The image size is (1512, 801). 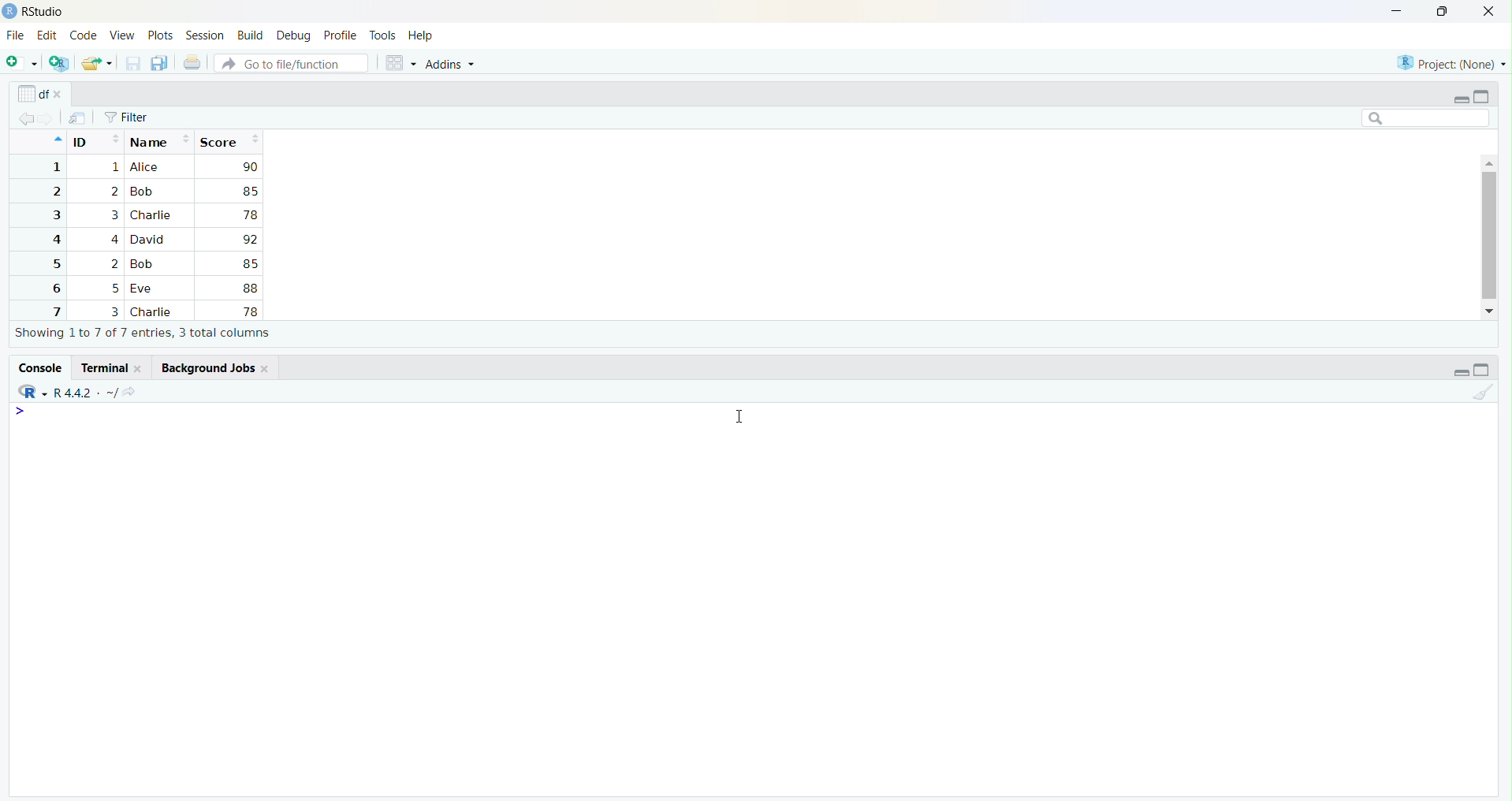 I want to click on Addins, so click(x=450, y=65).